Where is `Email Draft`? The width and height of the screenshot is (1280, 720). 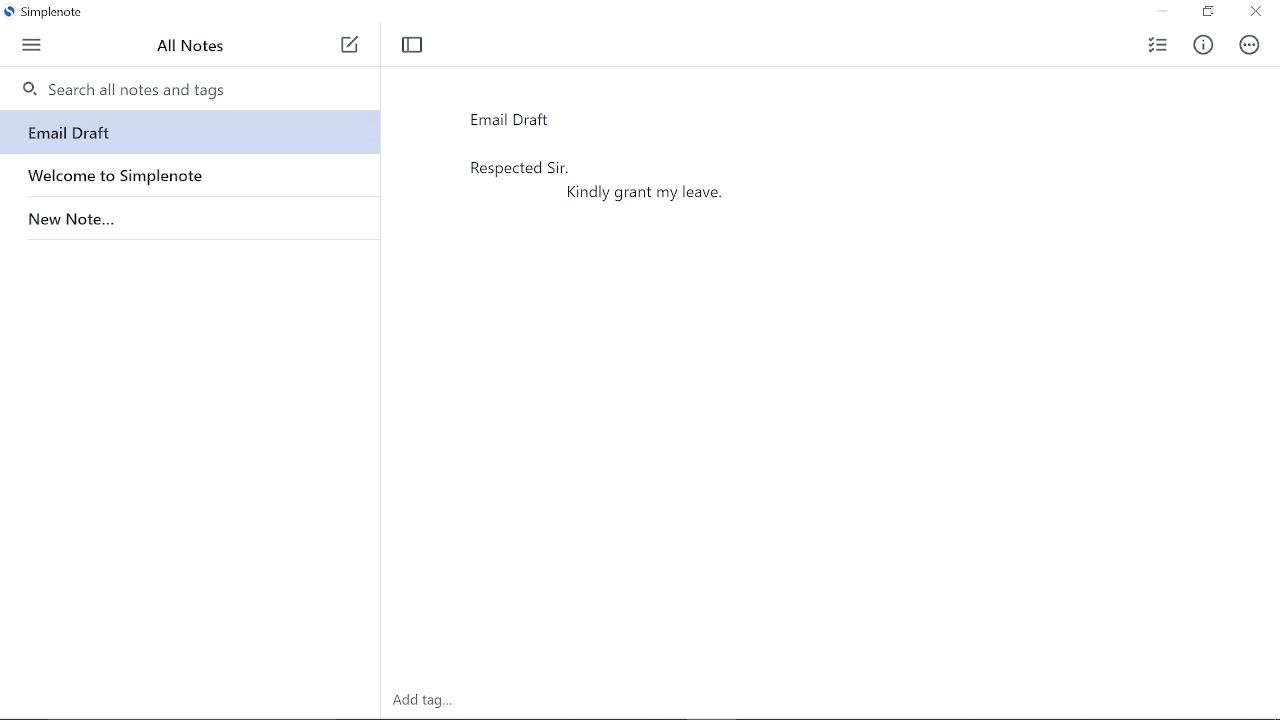 Email Draft is located at coordinates (194, 131).